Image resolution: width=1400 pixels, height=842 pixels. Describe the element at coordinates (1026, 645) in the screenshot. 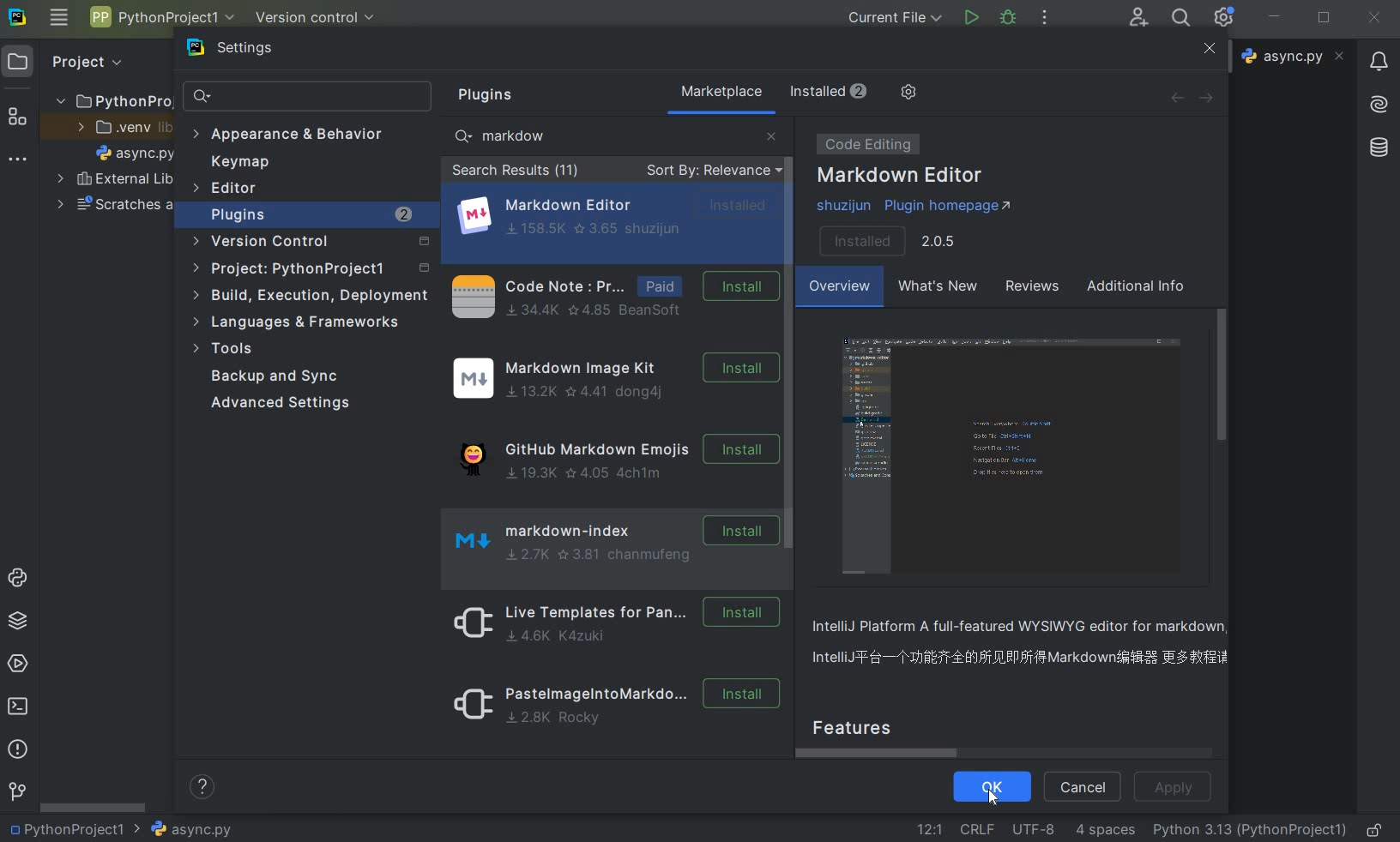

I see `overview` at that location.